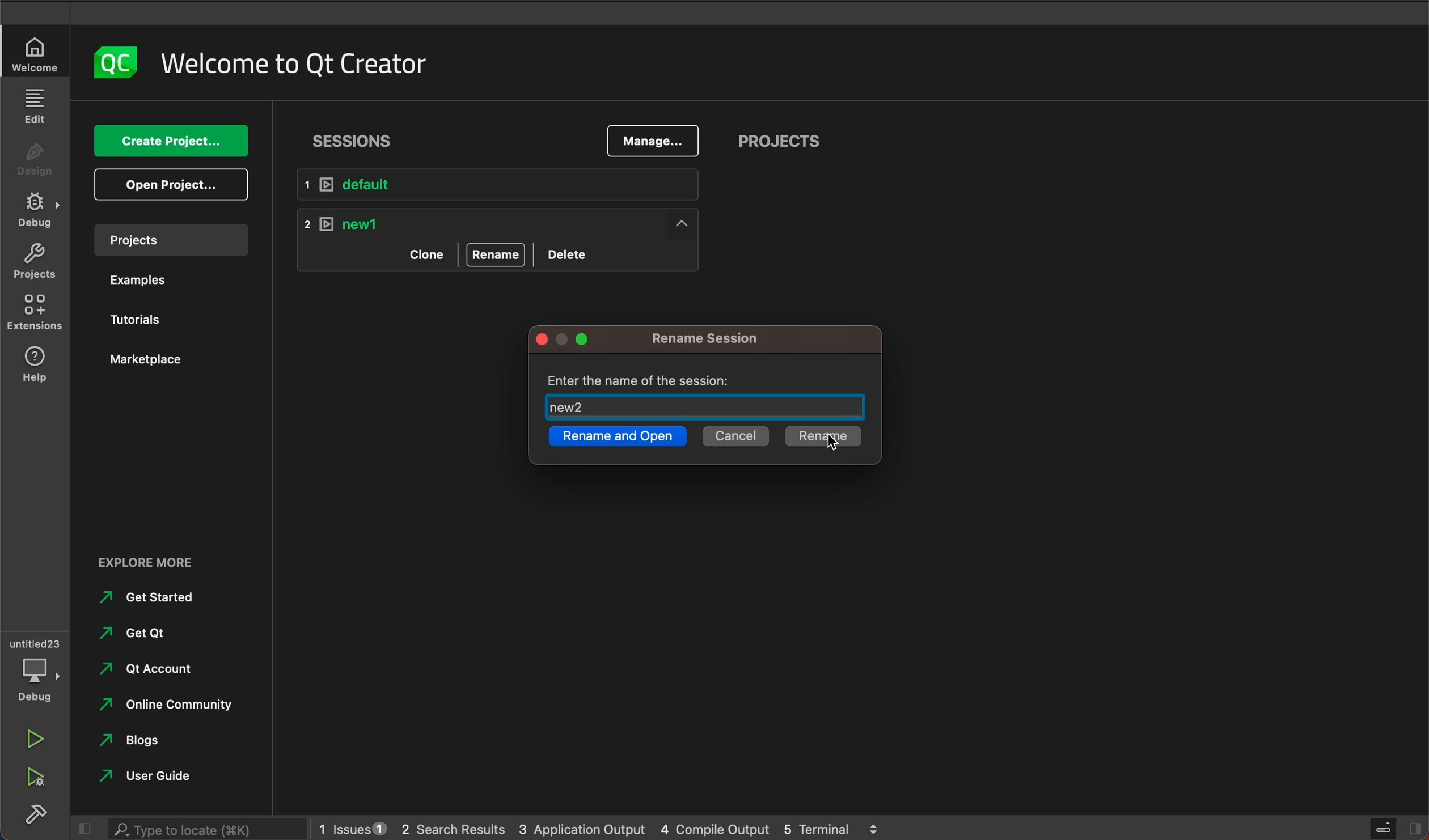 Image resolution: width=1429 pixels, height=840 pixels. Describe the element at coordinates (36, 108) in the screenshot. I see `edit` at that location.